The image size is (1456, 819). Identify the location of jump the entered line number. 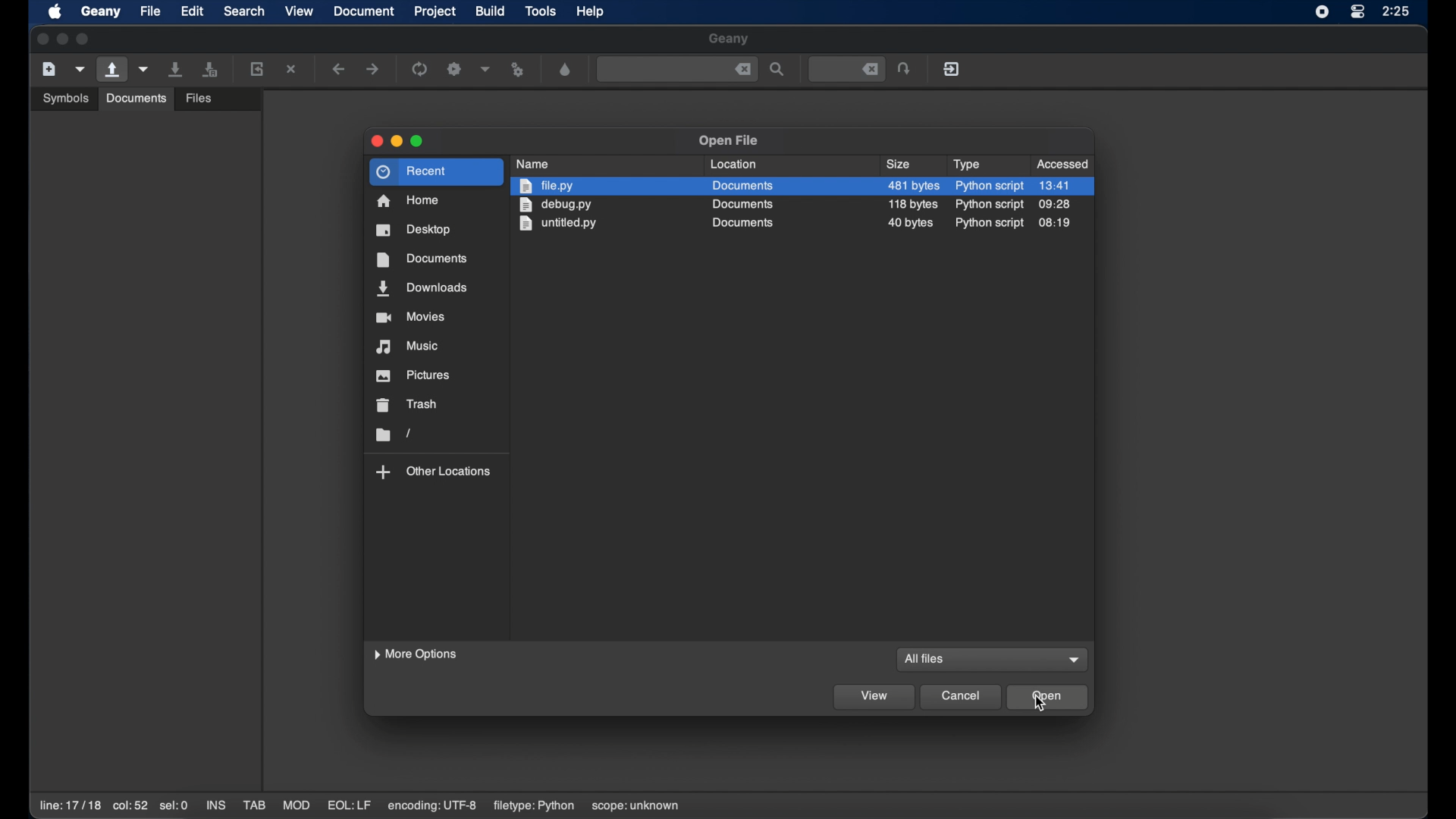
(906, 68).